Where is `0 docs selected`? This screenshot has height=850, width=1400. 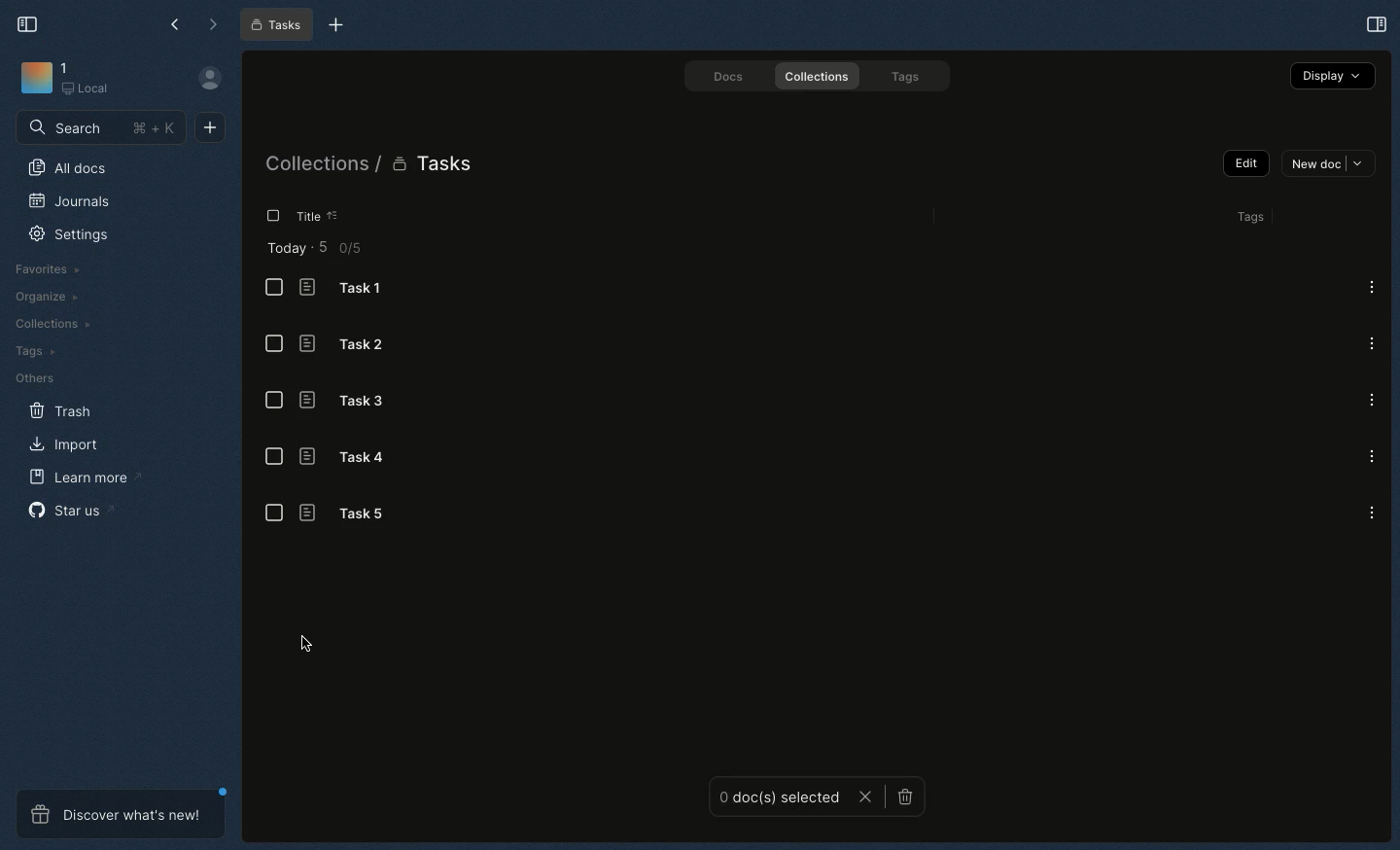 0 docs selected is located at coordinates (779, 799).